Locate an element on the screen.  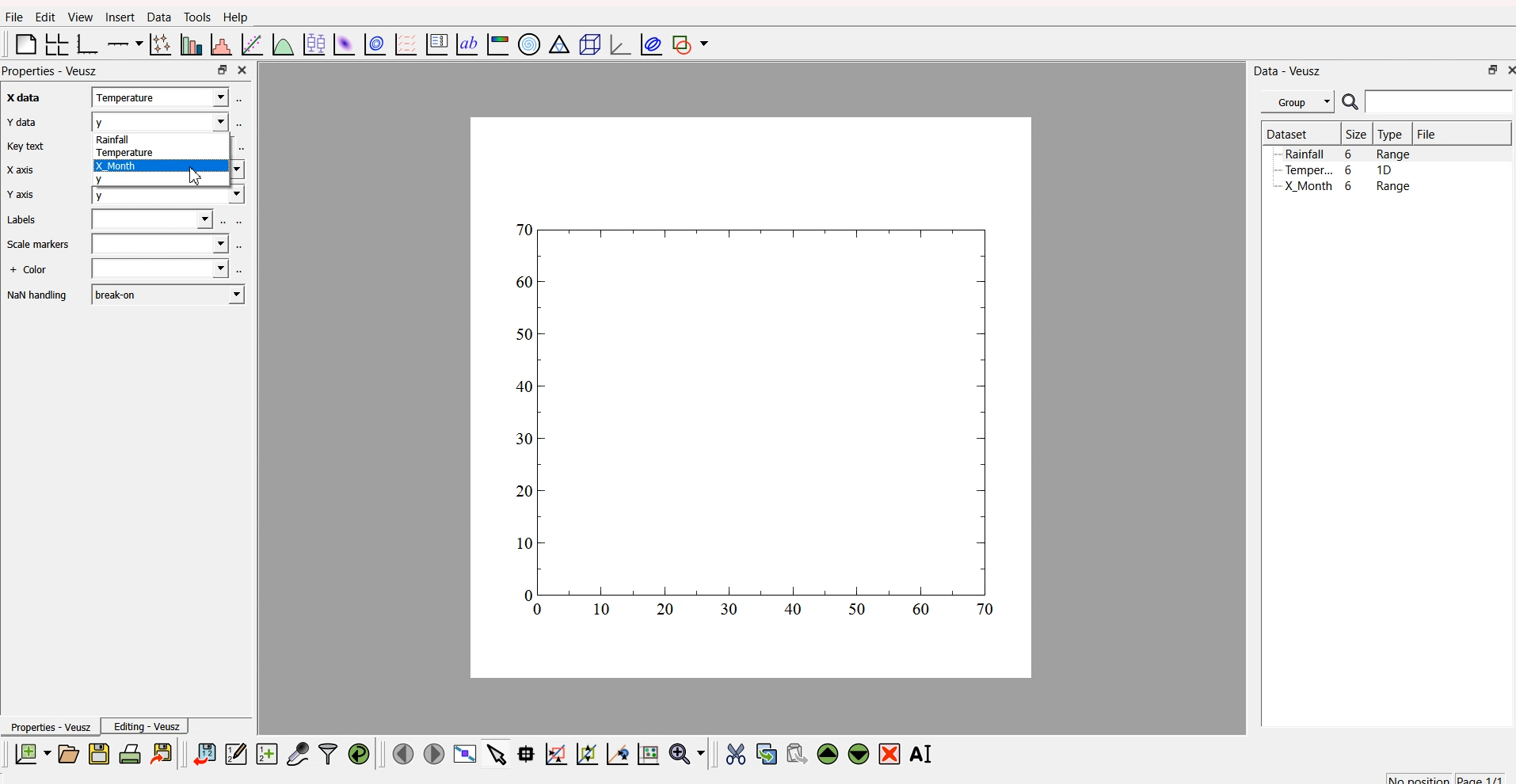
plot points is located at coordinates (158, 44).